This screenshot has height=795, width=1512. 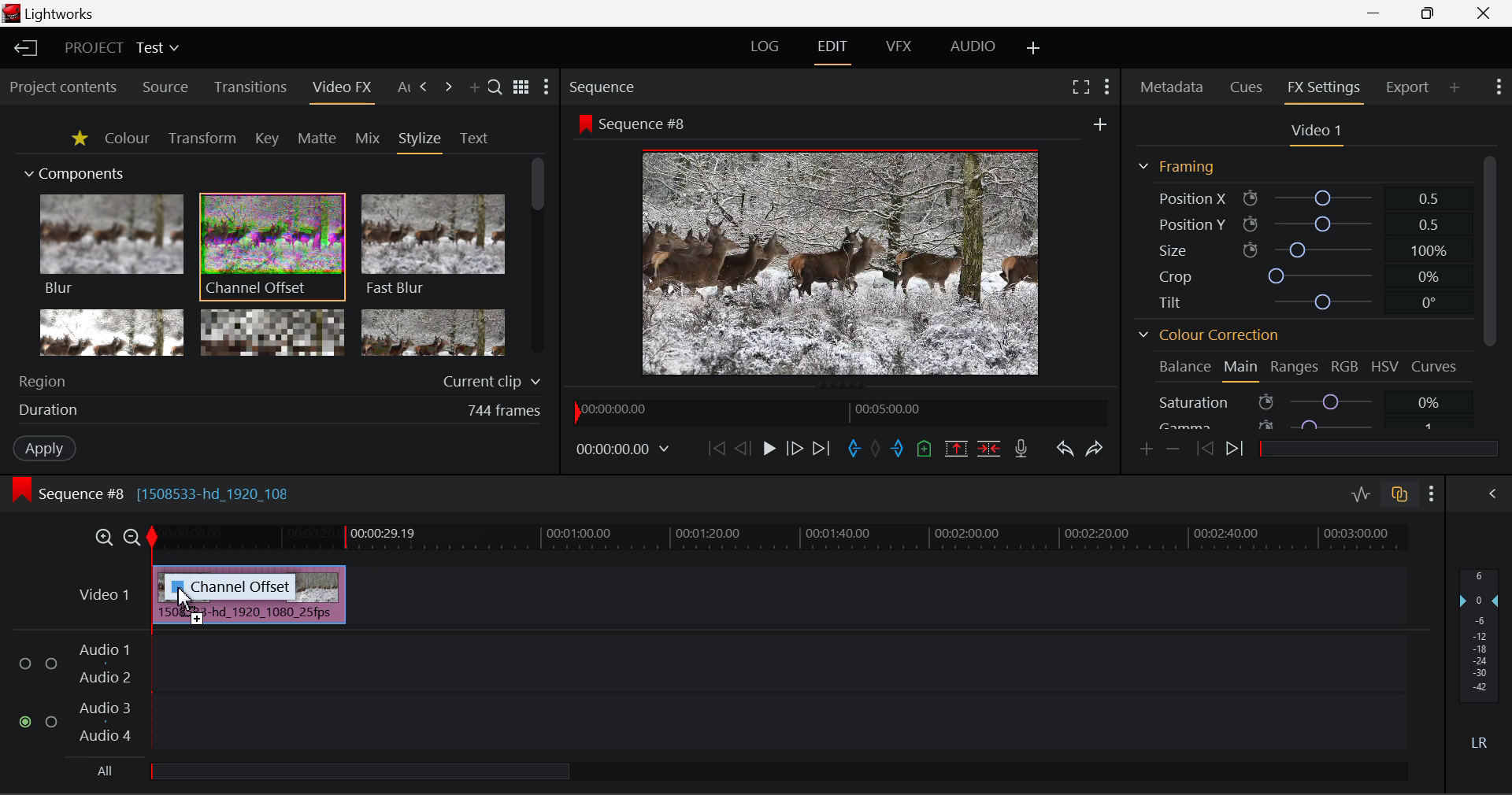 I want to click on Back to Homepage, so click(x=24, y=49).